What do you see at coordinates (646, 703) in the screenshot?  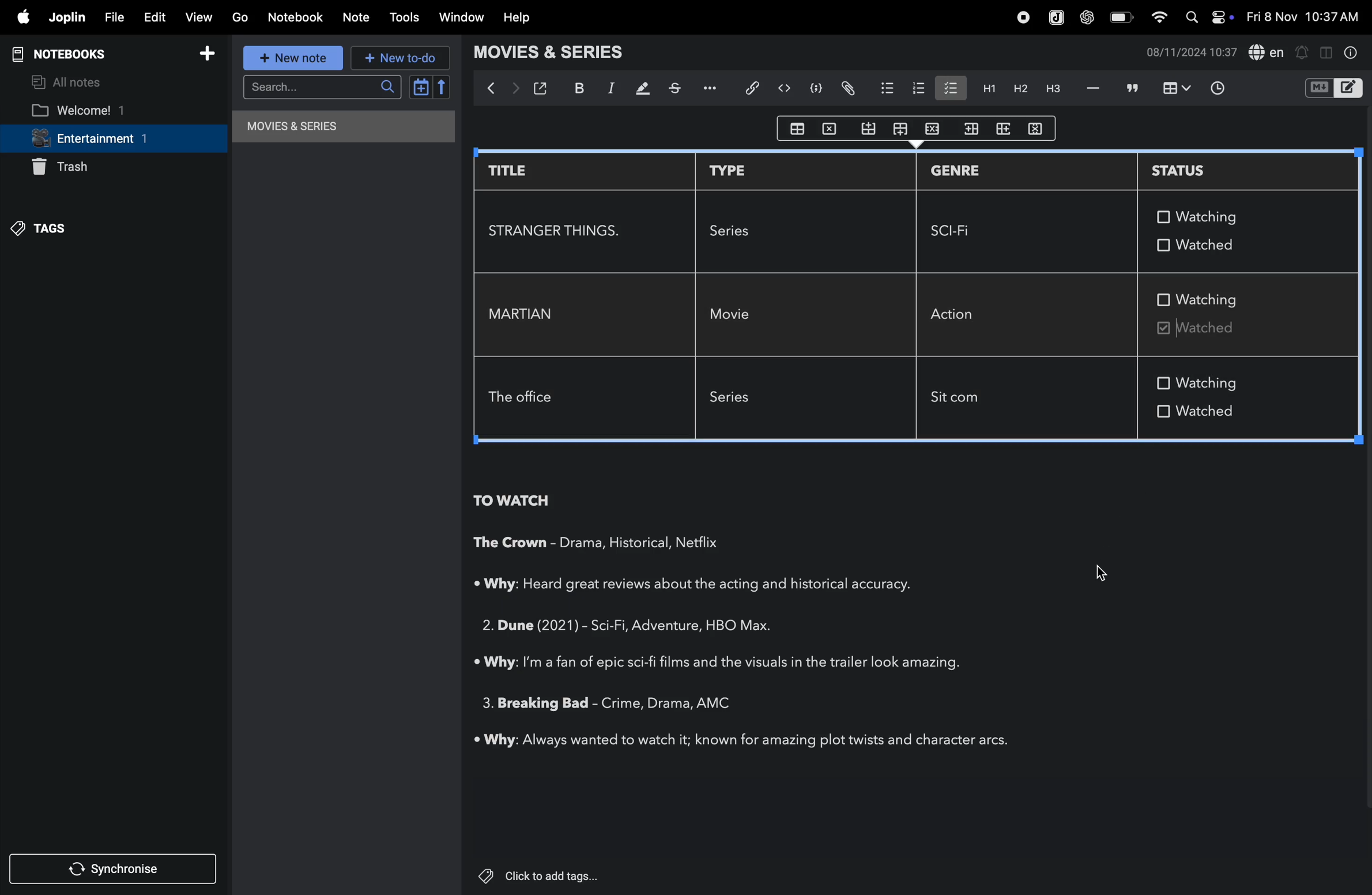 I see `genre` at bounding box center [646, 703].